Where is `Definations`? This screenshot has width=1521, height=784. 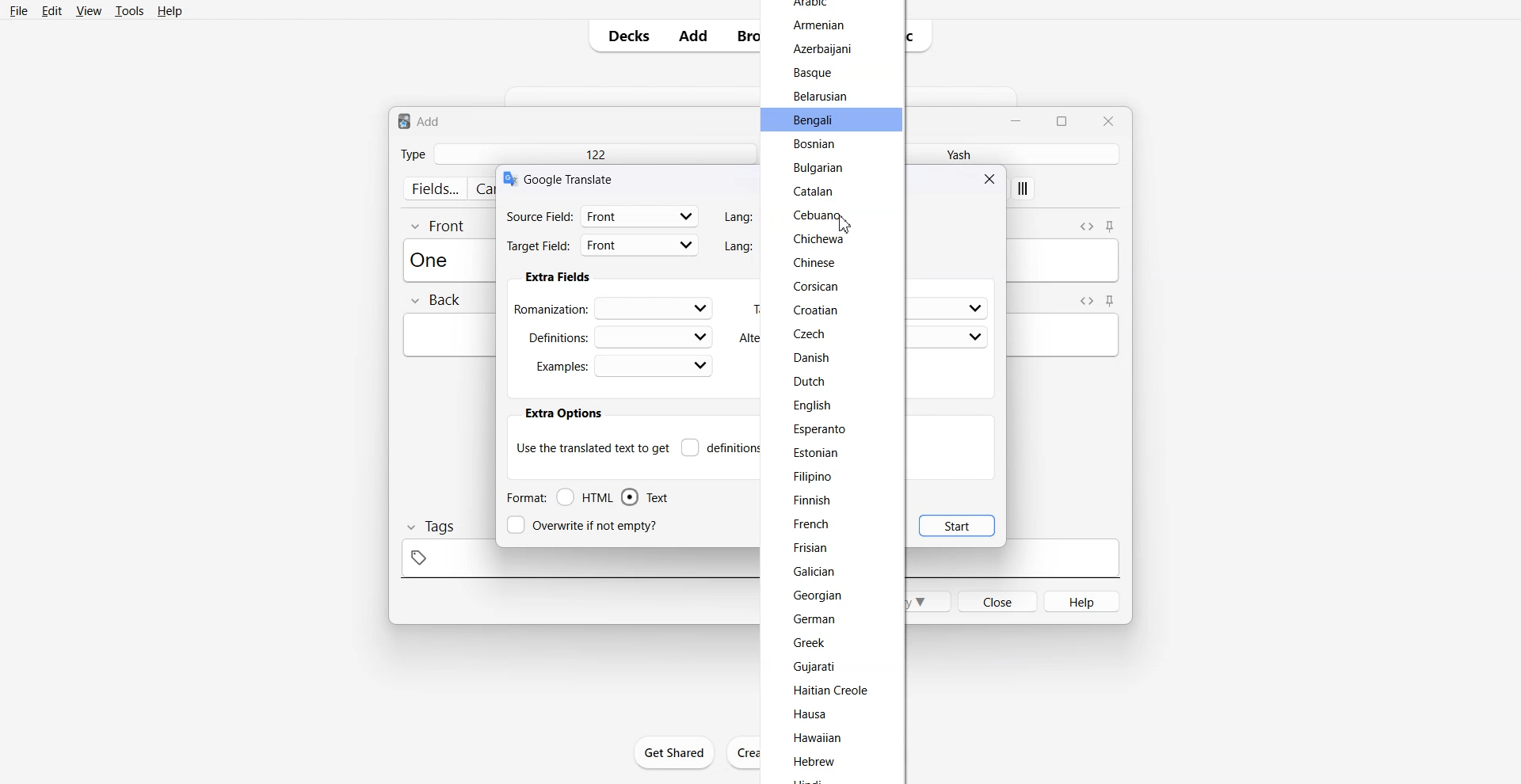
Definations is located at coordinates (618, 336).